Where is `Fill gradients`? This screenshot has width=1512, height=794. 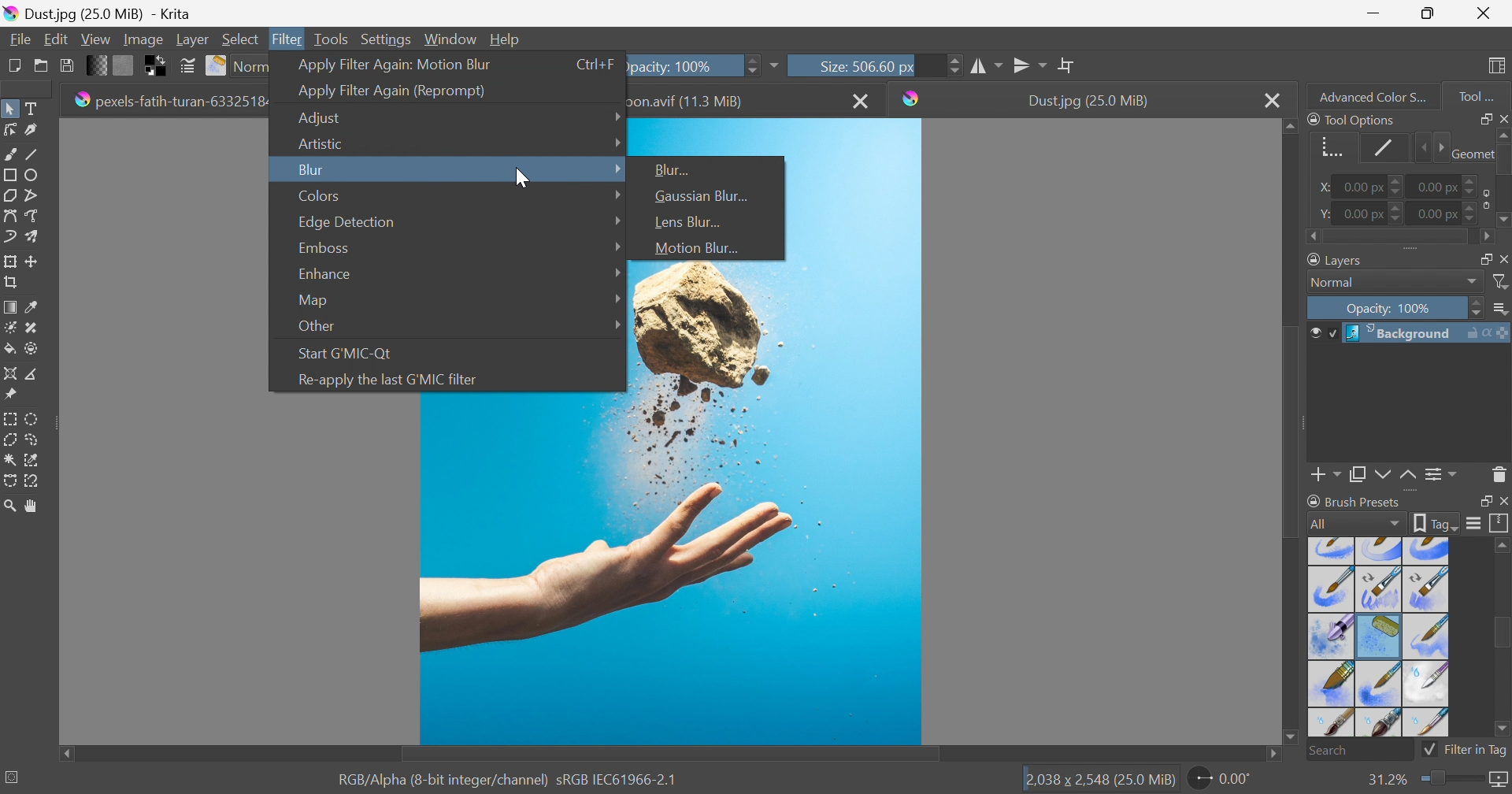 Fill gradients is located at coordinates (98, 64).